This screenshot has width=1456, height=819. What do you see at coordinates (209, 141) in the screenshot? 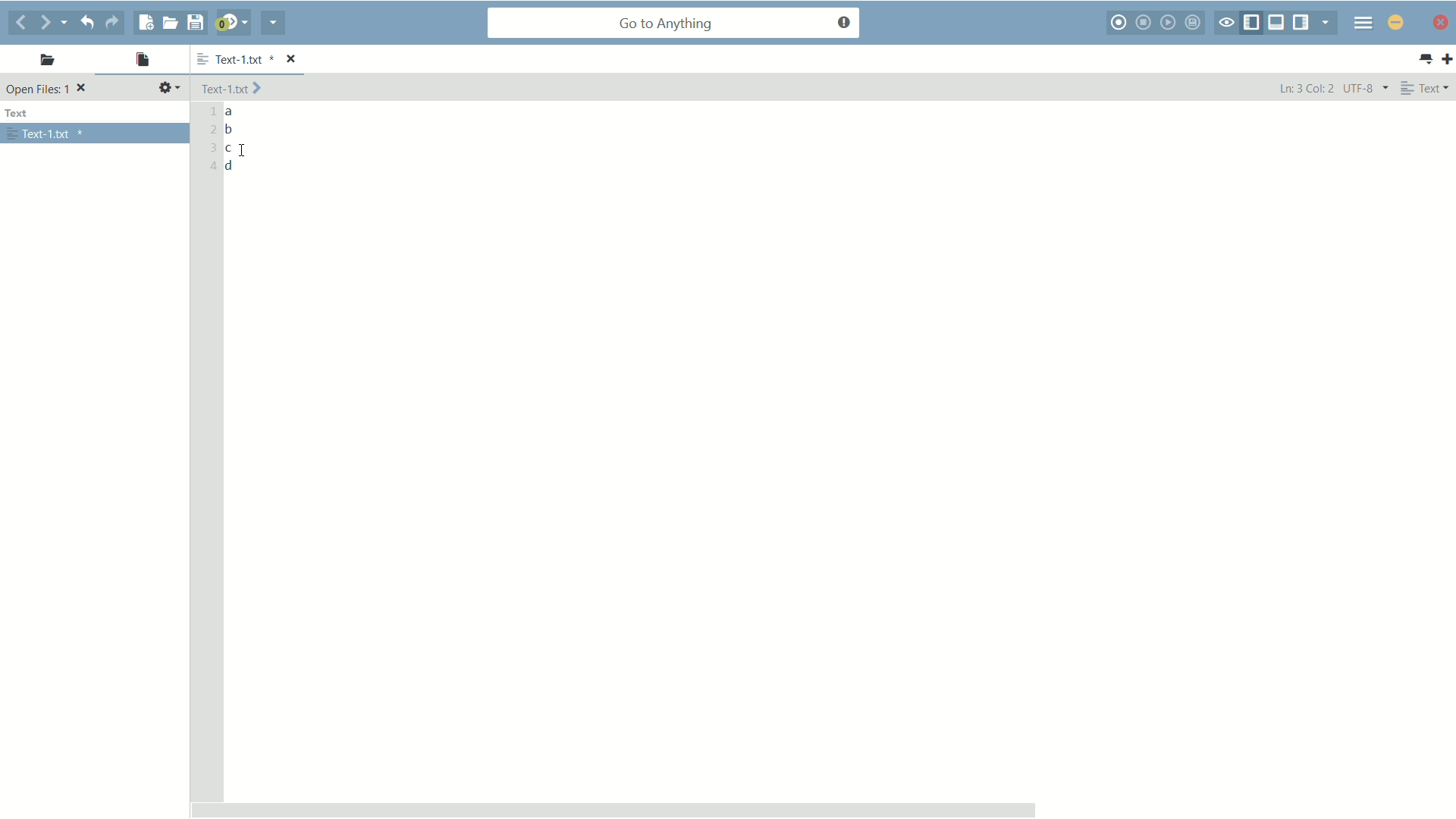
I see `1 2 3 4` at bounding box center [209, 141].